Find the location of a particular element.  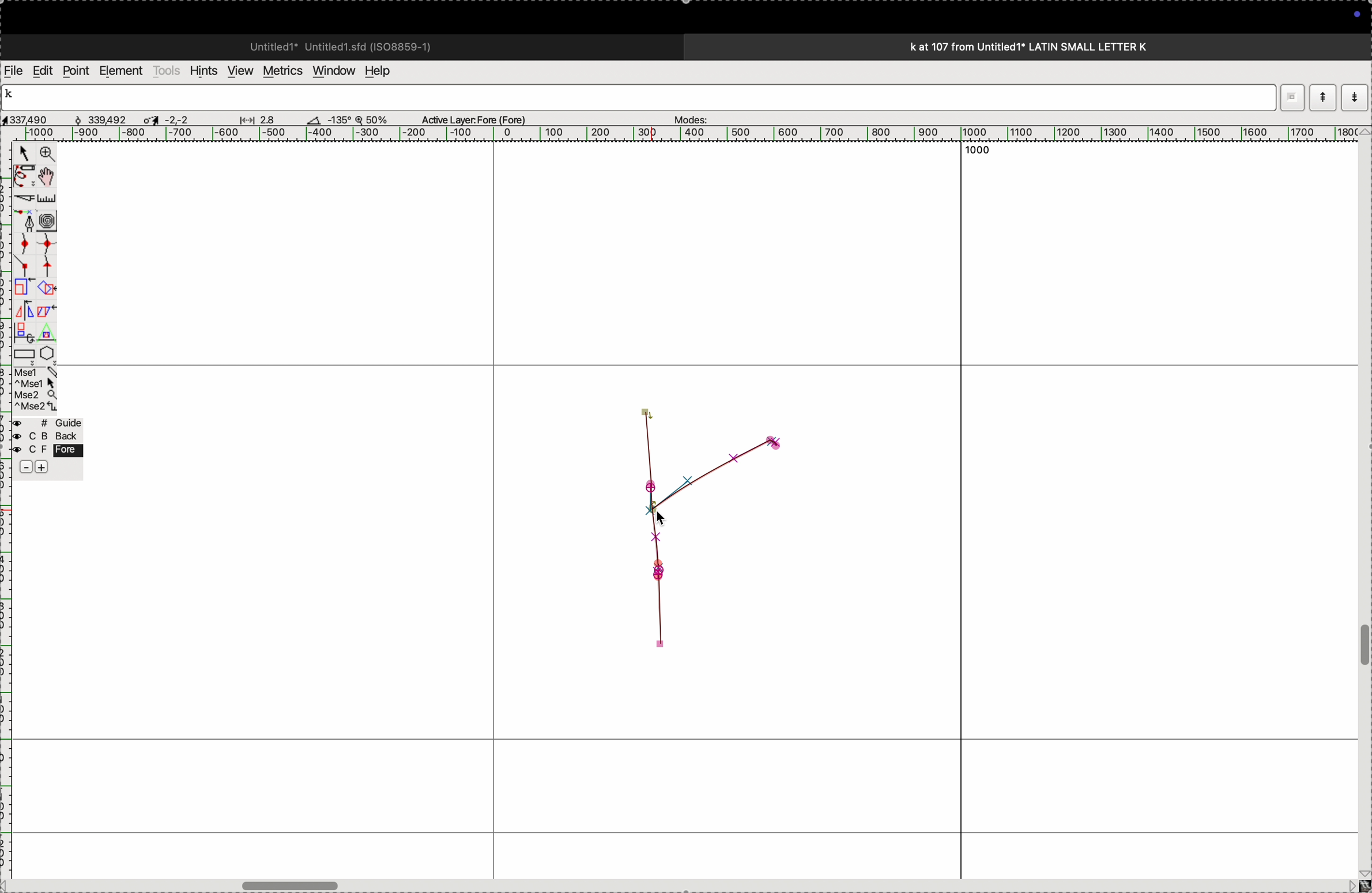

. is located at coordinates (1353, 97).